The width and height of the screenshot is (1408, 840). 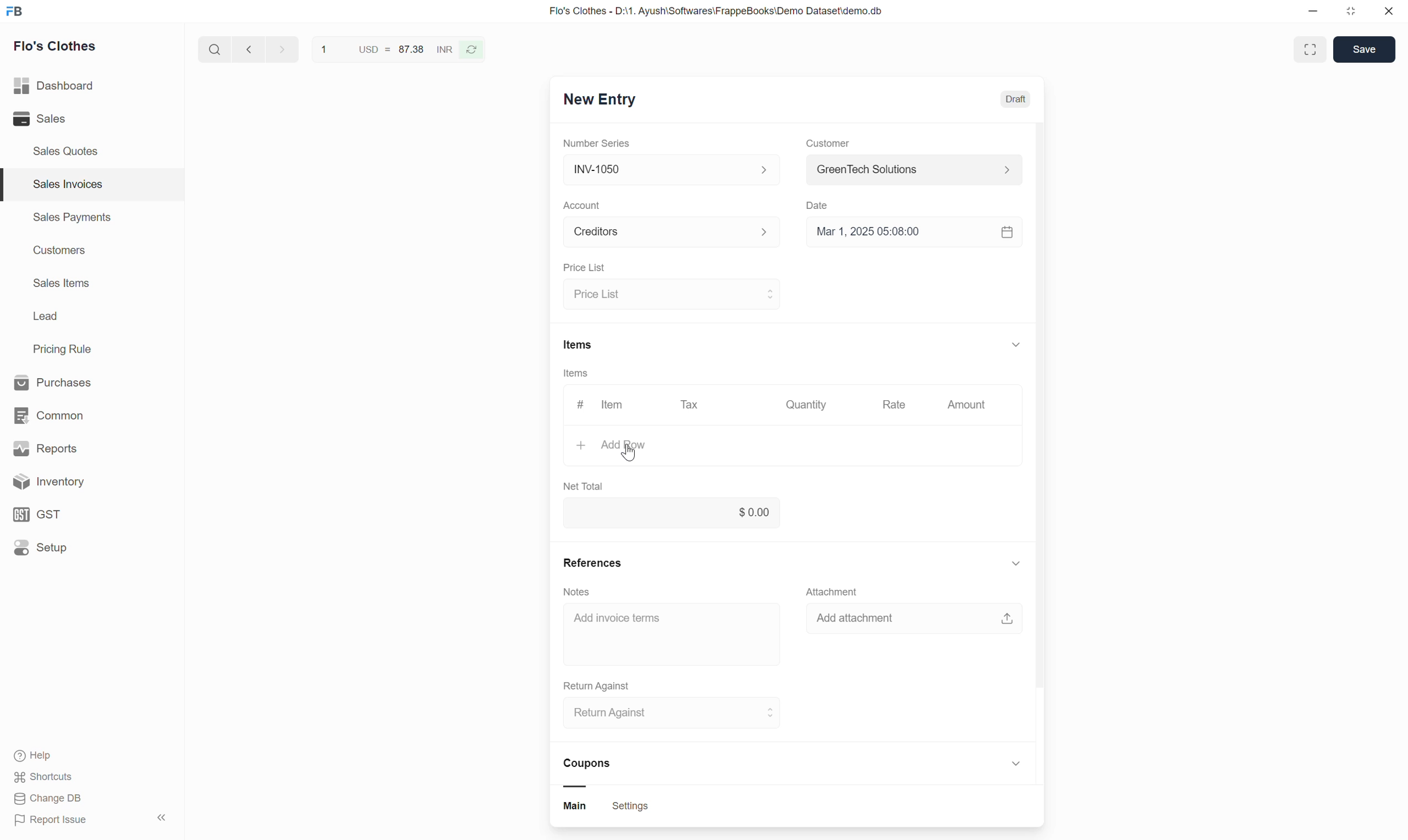 I want to click on Sales Payments, so click(x=71, y=219).